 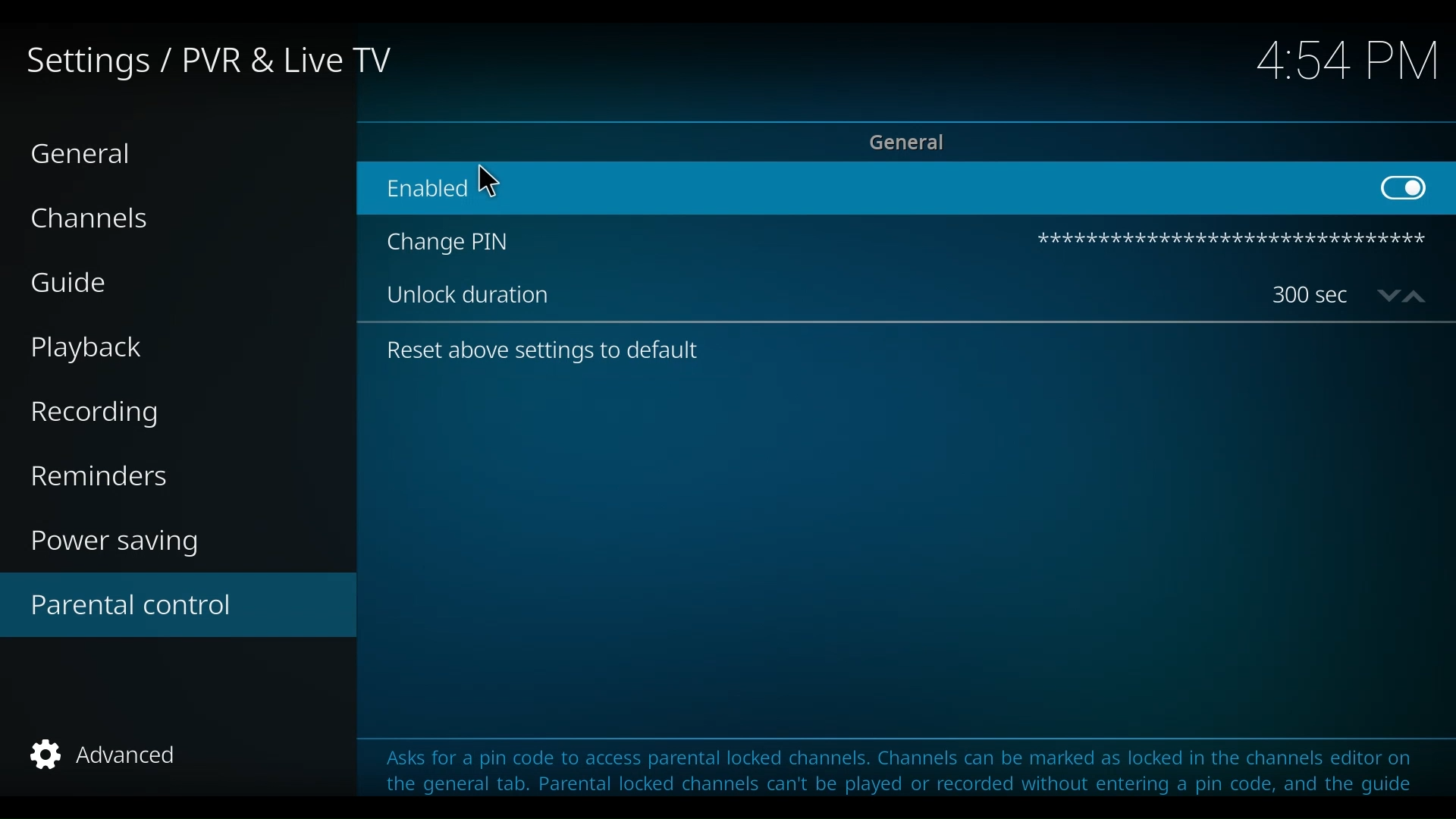 I want to click on Asks for a pin code to access parental locked channels. Channels can be marked as locked in the channel editor, so click(x=891, y=758).